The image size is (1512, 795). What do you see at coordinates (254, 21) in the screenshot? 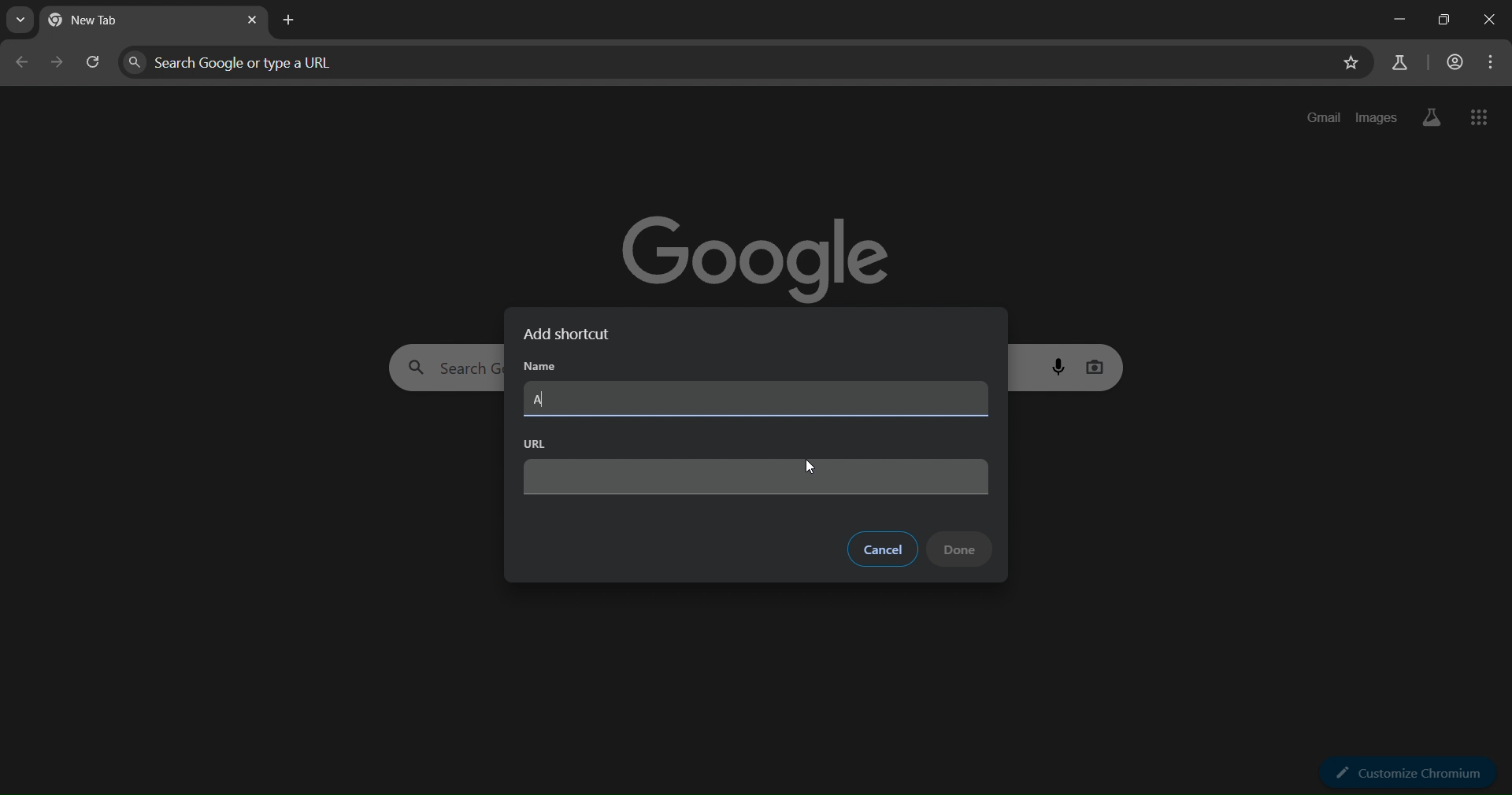
I see `close tab` at bounding box center [254, 21].